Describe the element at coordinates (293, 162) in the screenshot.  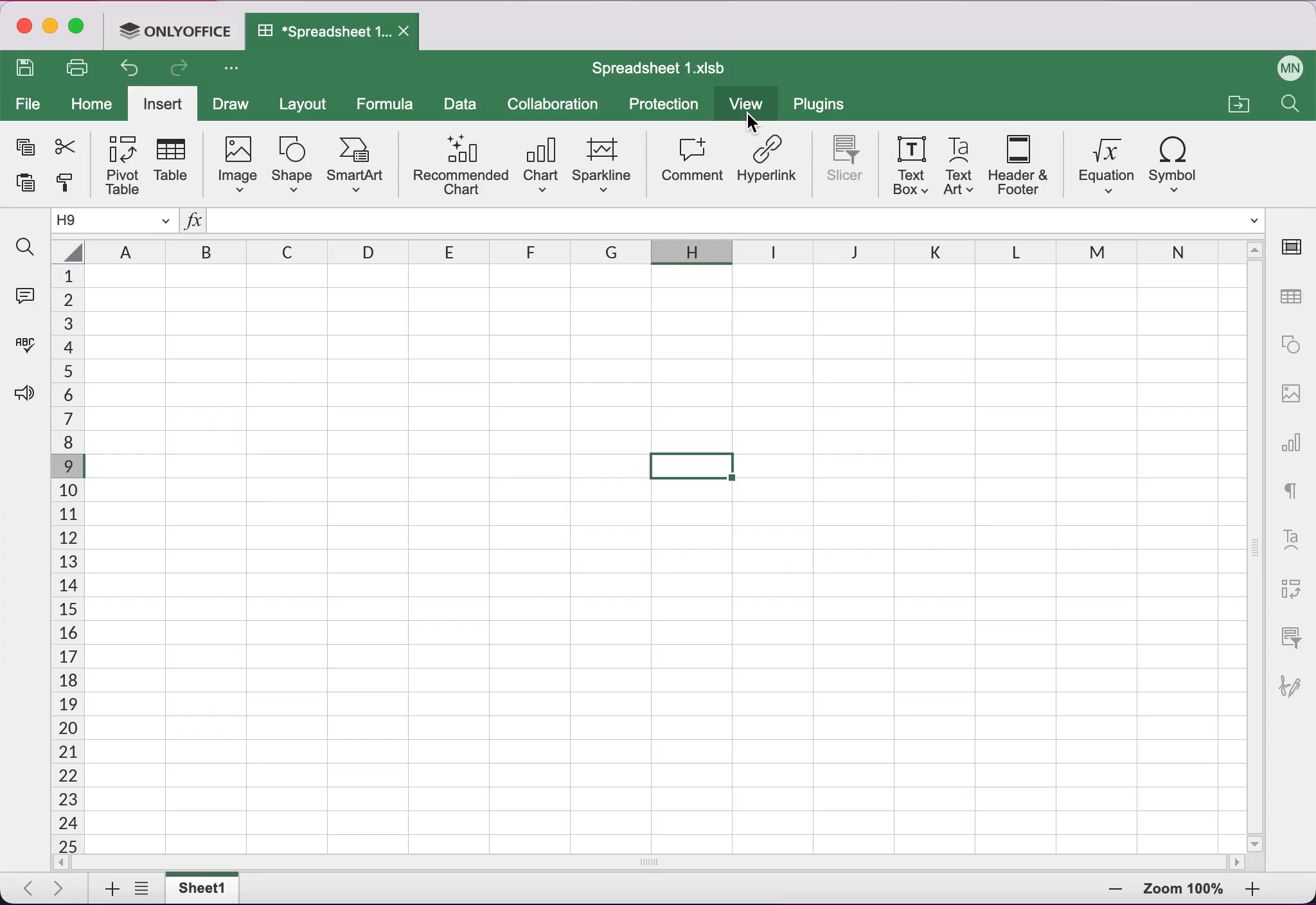
I see `shape` at that location.